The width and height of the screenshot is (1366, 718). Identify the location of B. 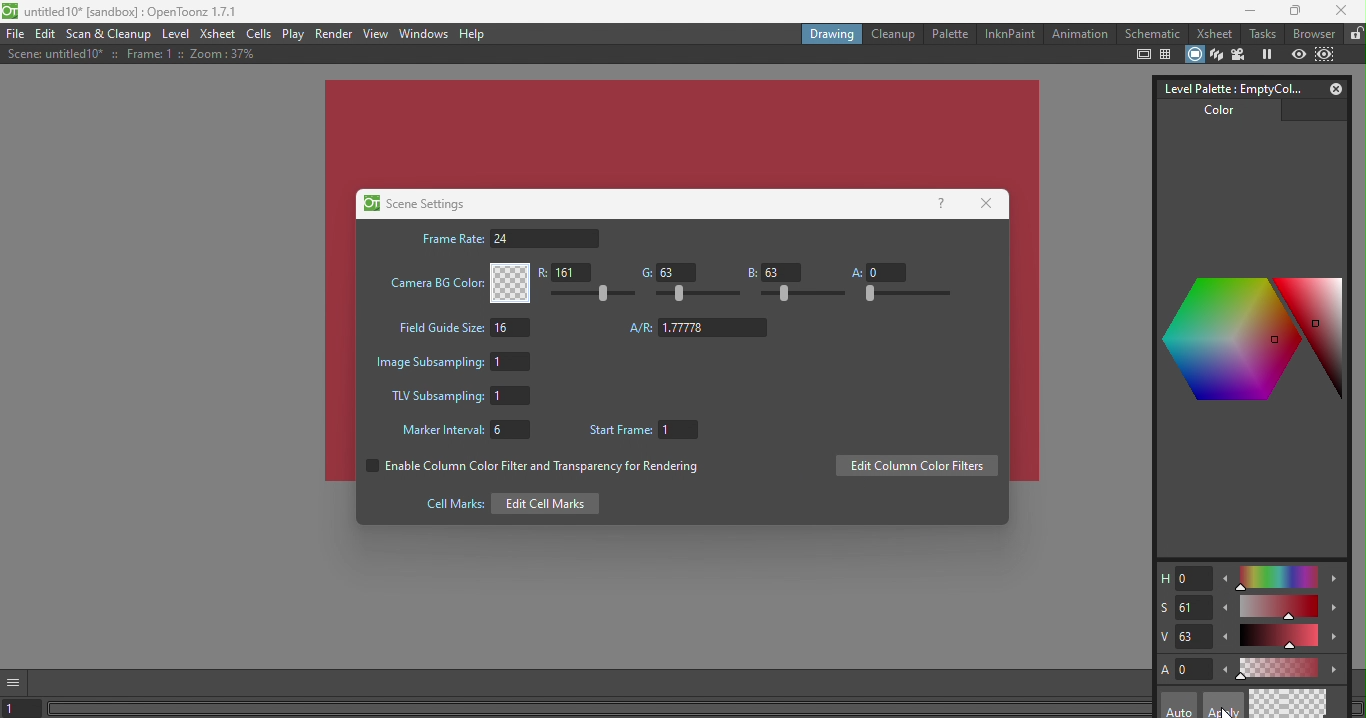
(773, 272).